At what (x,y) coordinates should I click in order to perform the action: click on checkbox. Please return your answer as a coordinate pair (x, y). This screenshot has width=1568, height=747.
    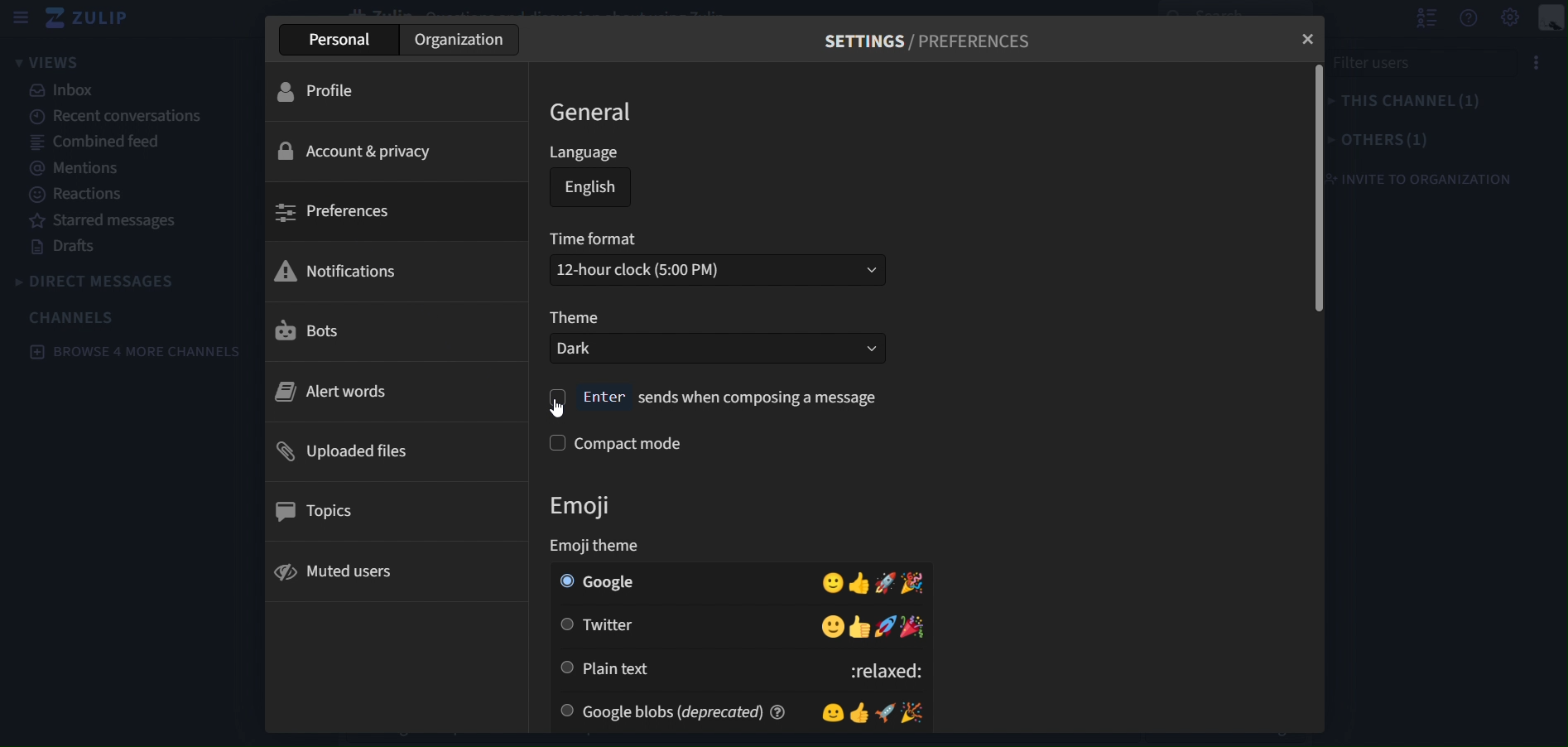
    Looking at the image, I should click on (555, 443).